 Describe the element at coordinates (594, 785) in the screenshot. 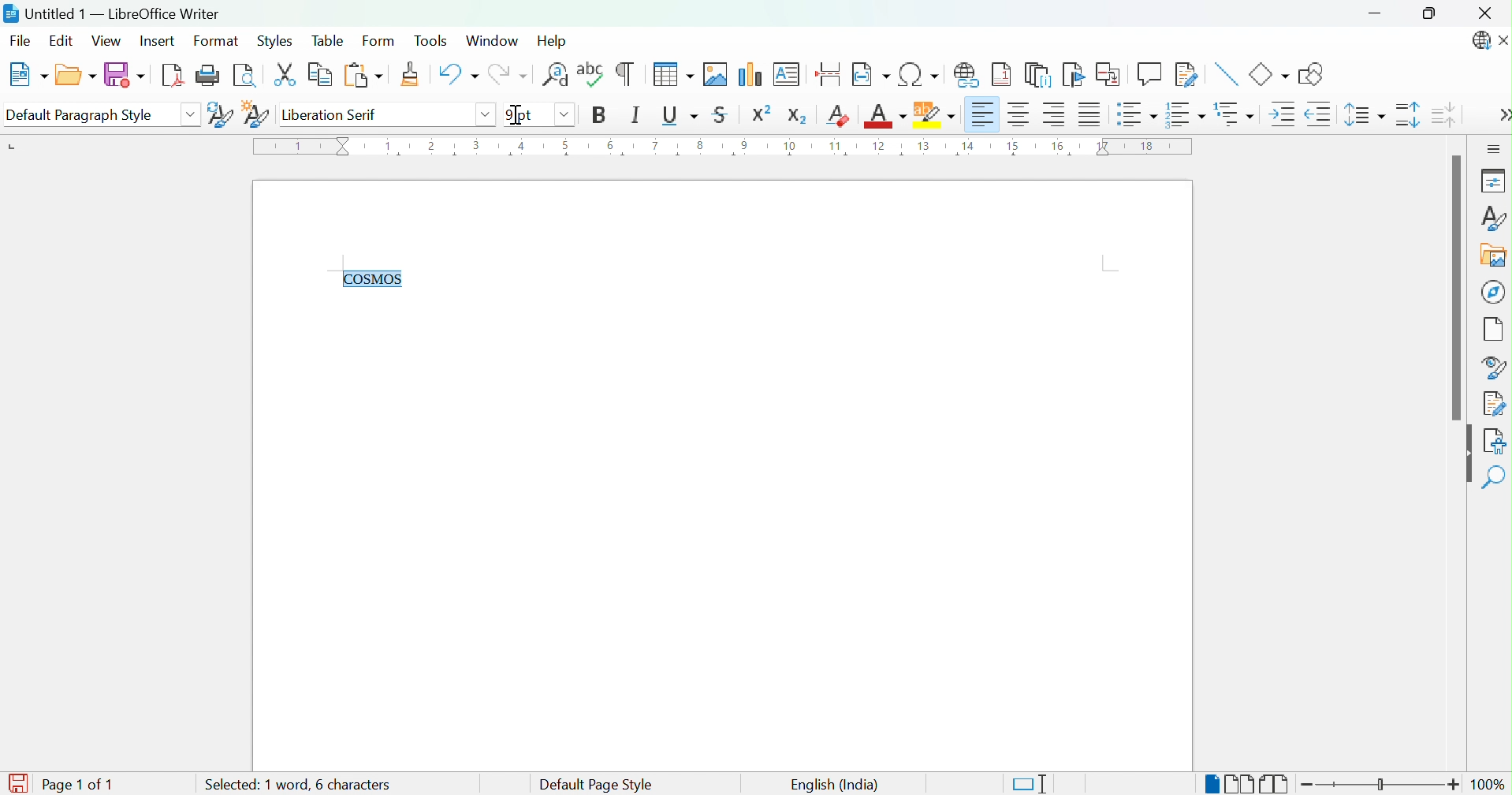

I see `Default page style` at that location.